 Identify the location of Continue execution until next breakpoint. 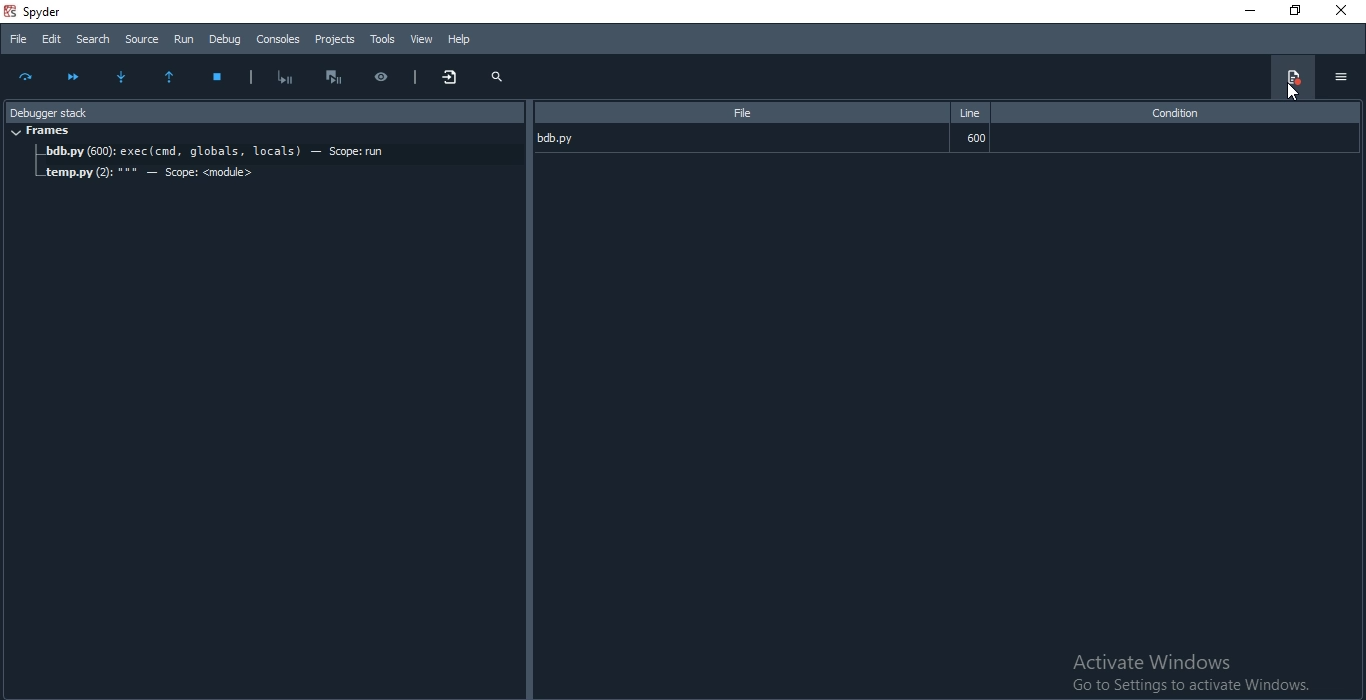
(73, 75).